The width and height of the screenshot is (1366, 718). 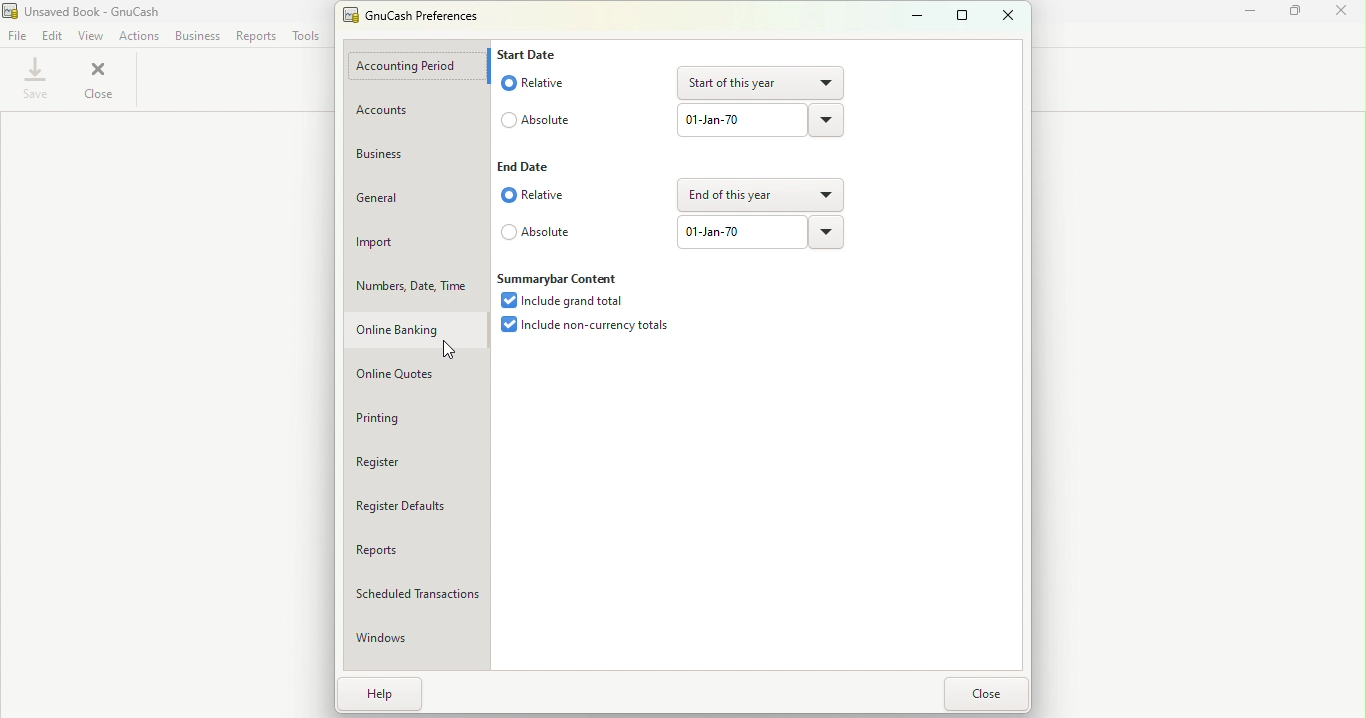 What do you see at coordinates (419, 594) in the screenshot?
I see `Scheduled transactions` at bounding box center [419, 594].